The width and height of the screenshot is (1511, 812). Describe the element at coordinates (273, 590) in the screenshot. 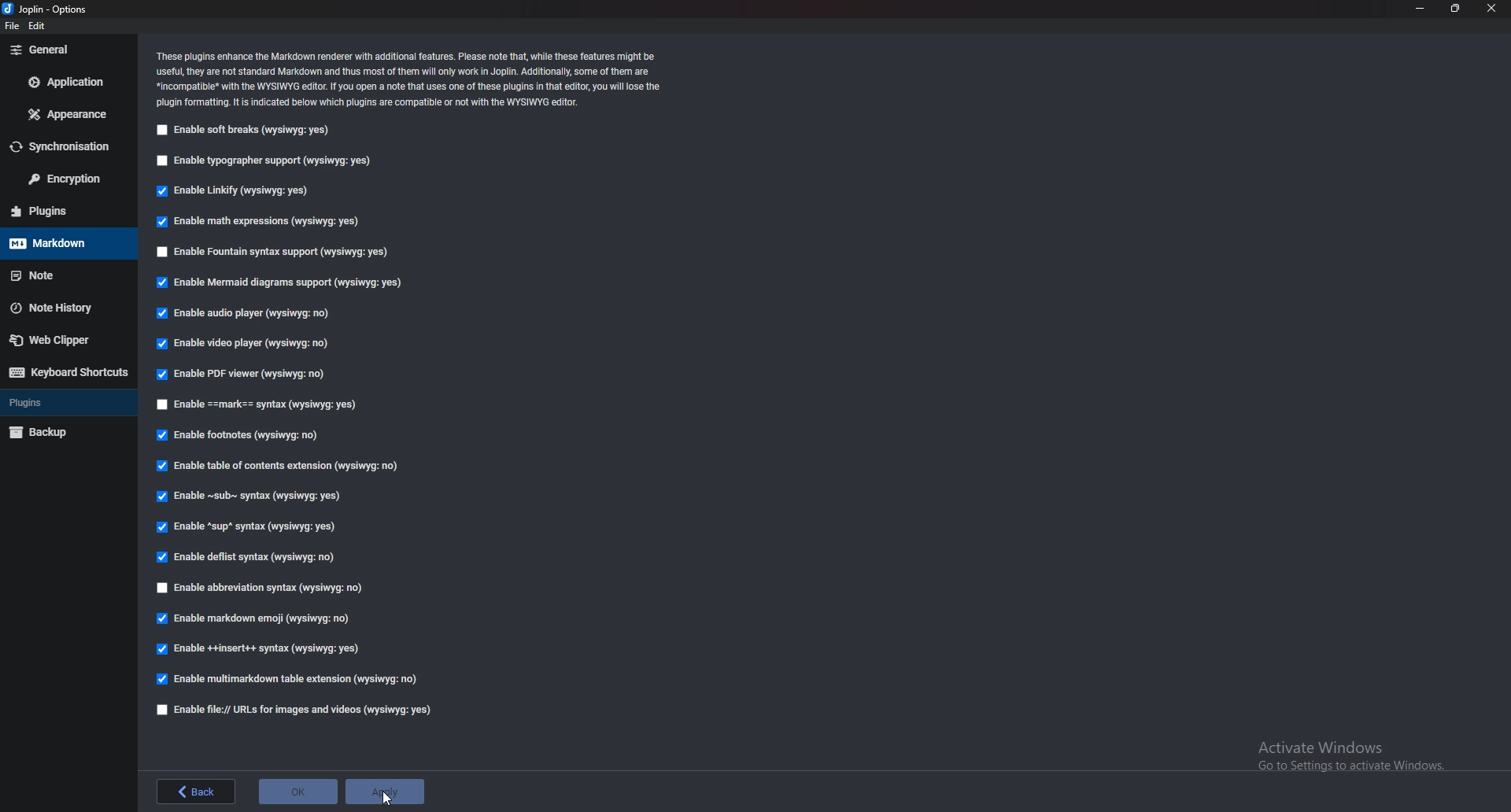

I see `enable abbreviation syntax` at that location.